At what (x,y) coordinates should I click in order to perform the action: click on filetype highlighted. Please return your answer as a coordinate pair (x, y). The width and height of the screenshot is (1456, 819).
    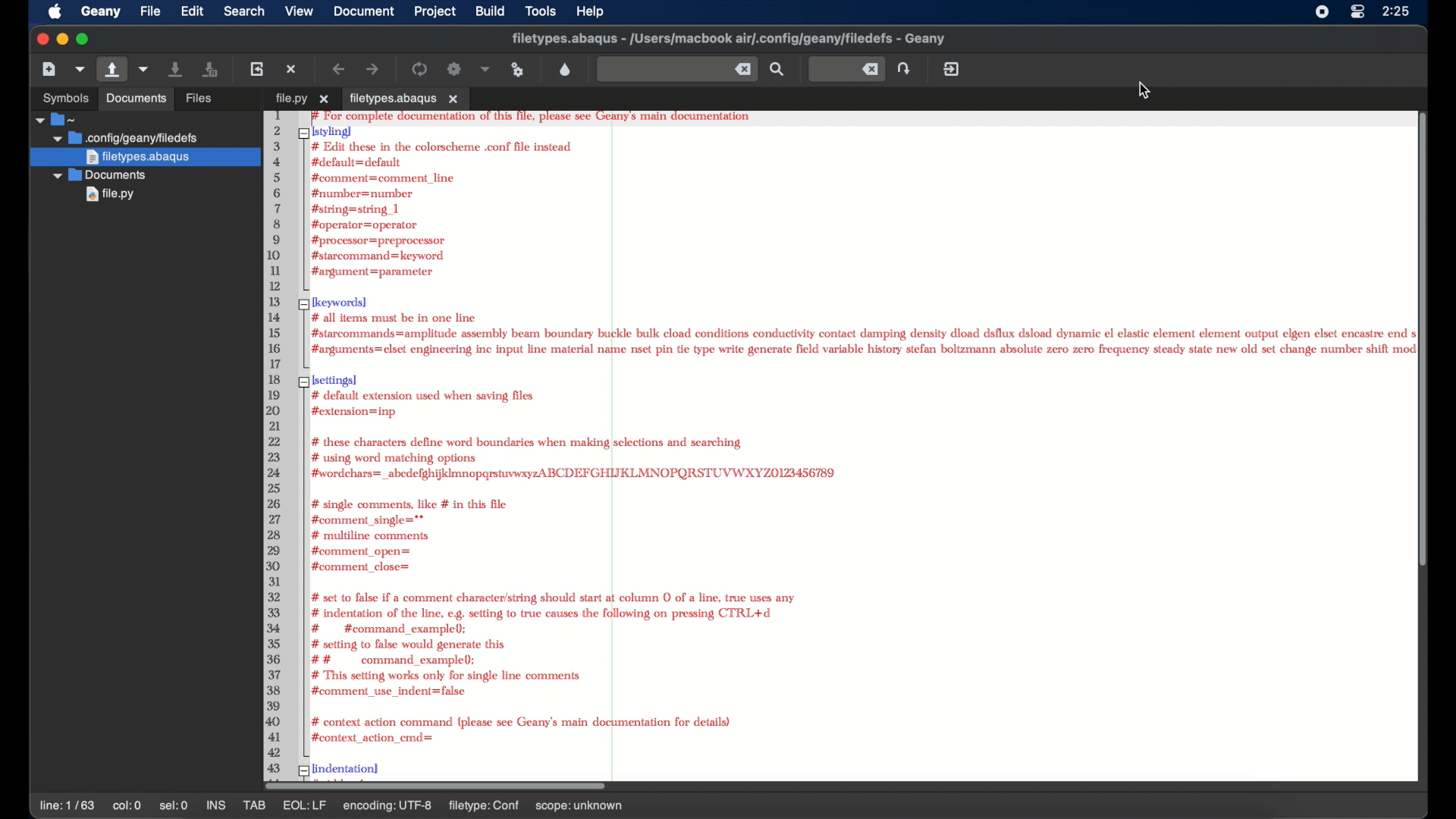
    Looking at the image, I should click on (145, 158).